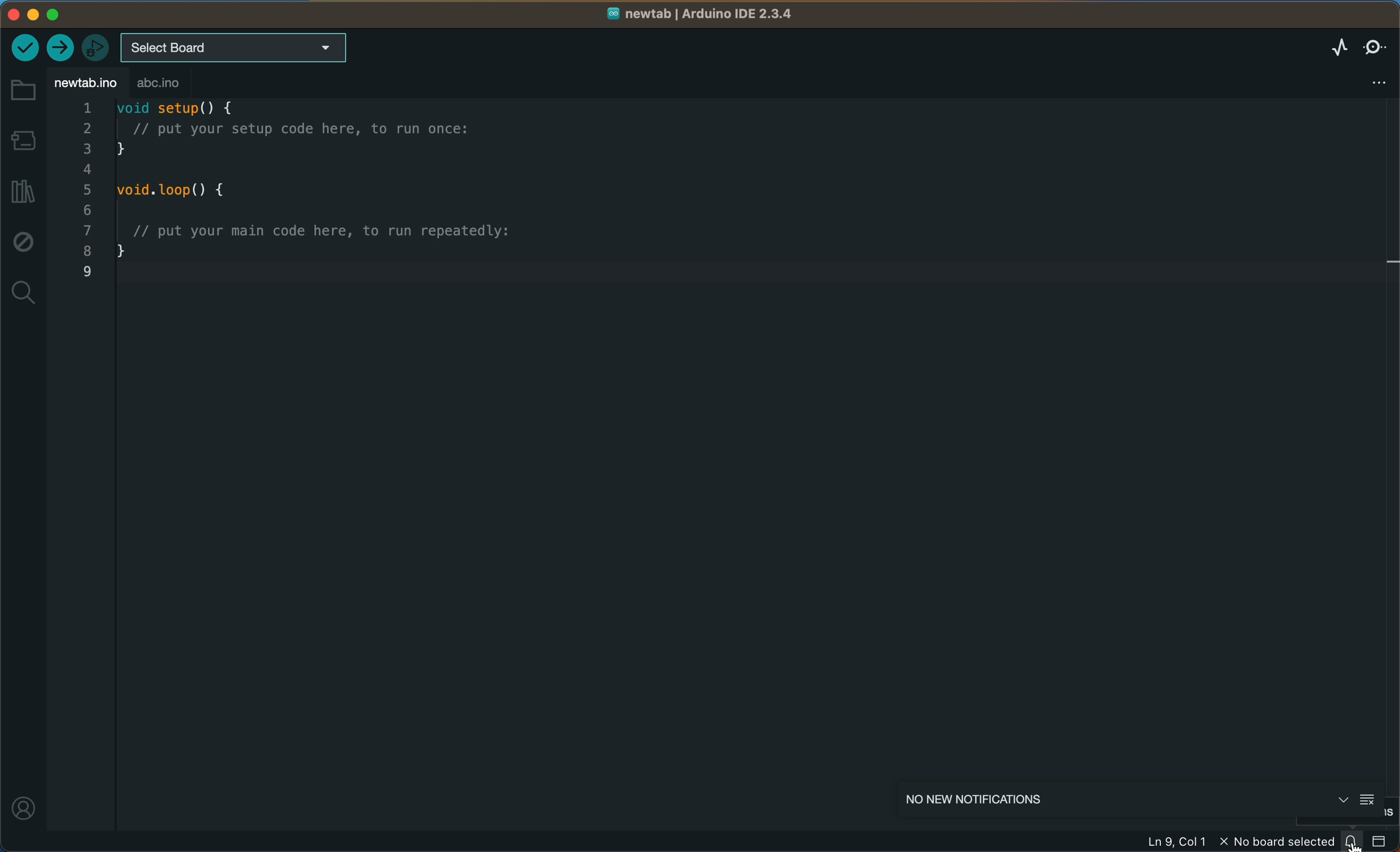 The height and width of the screenshot is (852, 1400). I want to click on serial monitor, so click(1372, 46).